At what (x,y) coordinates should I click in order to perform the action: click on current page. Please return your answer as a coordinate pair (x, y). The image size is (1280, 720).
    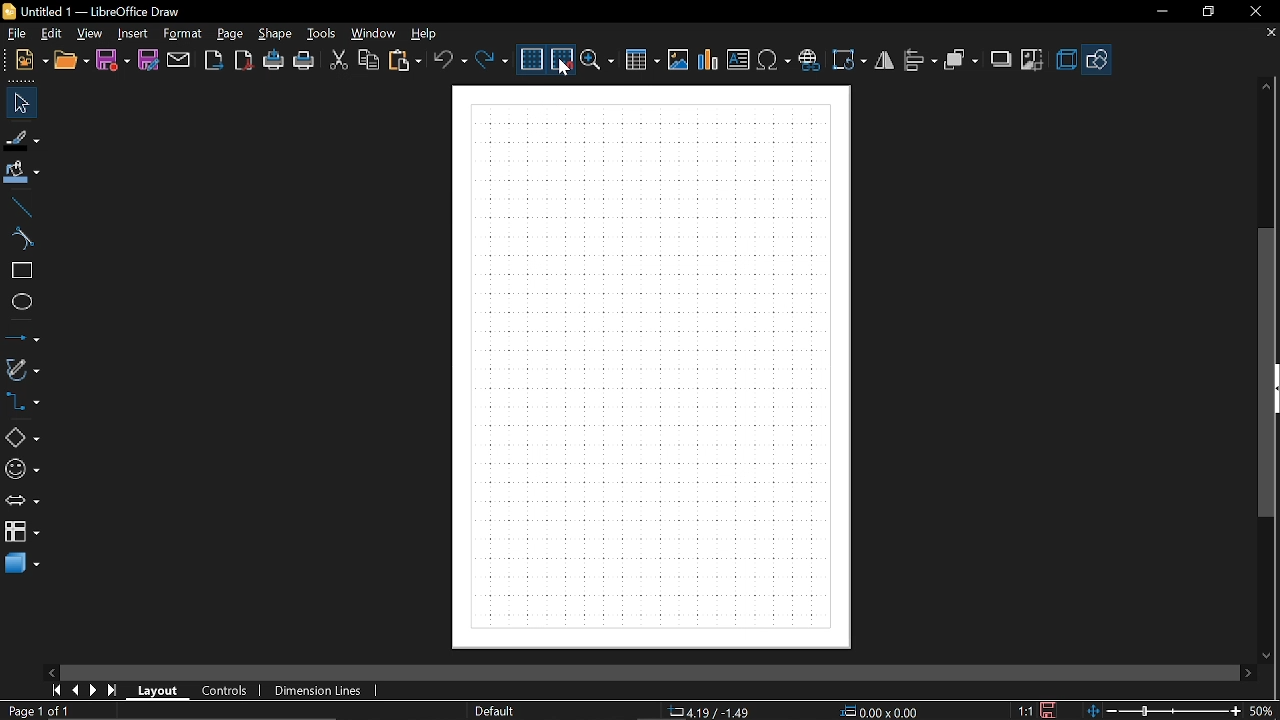
    Looking at the image, I should click on (35, 711).